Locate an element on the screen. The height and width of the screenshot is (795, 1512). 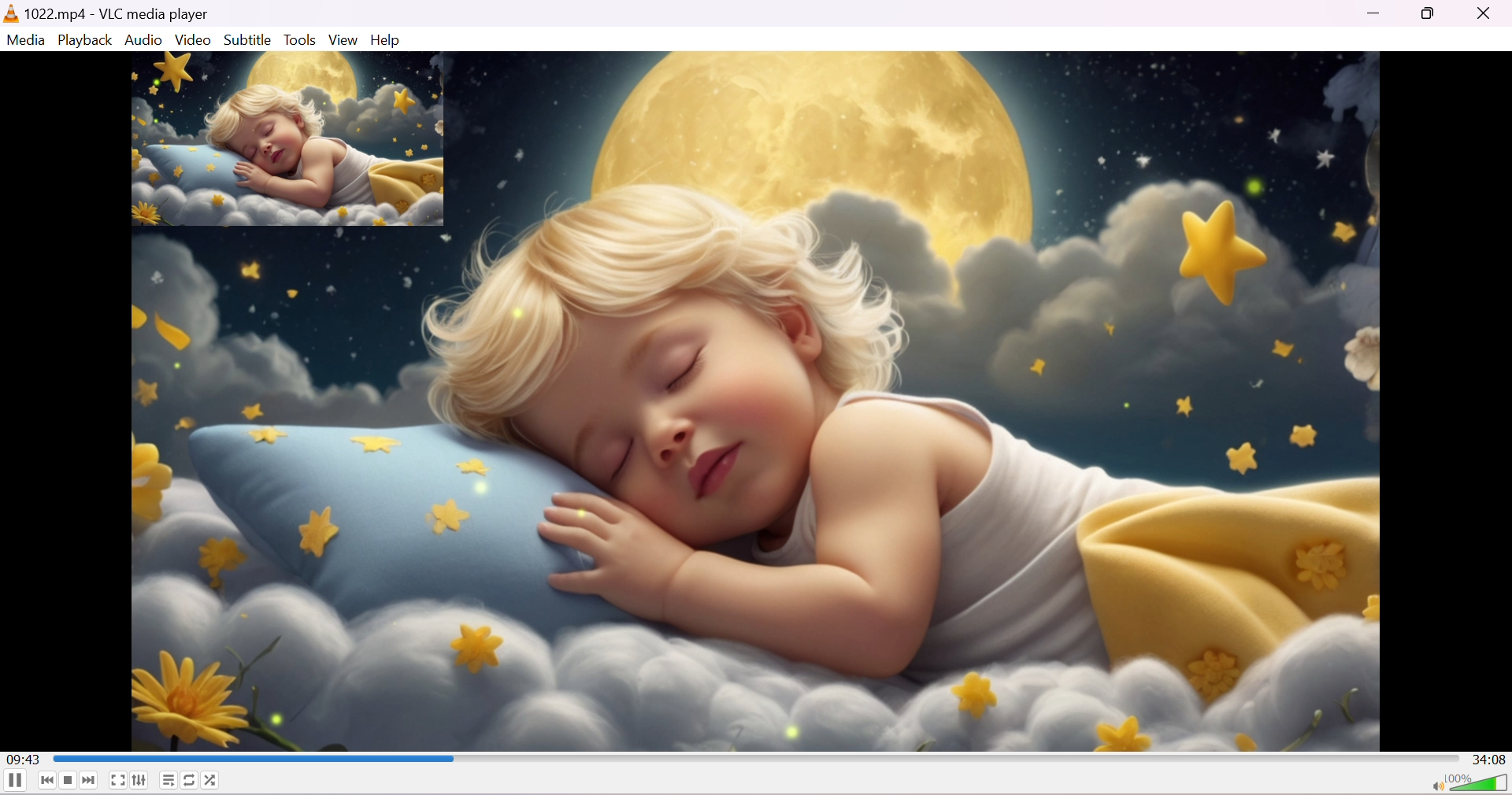
wallpaper is located at coordinates (918, 401).